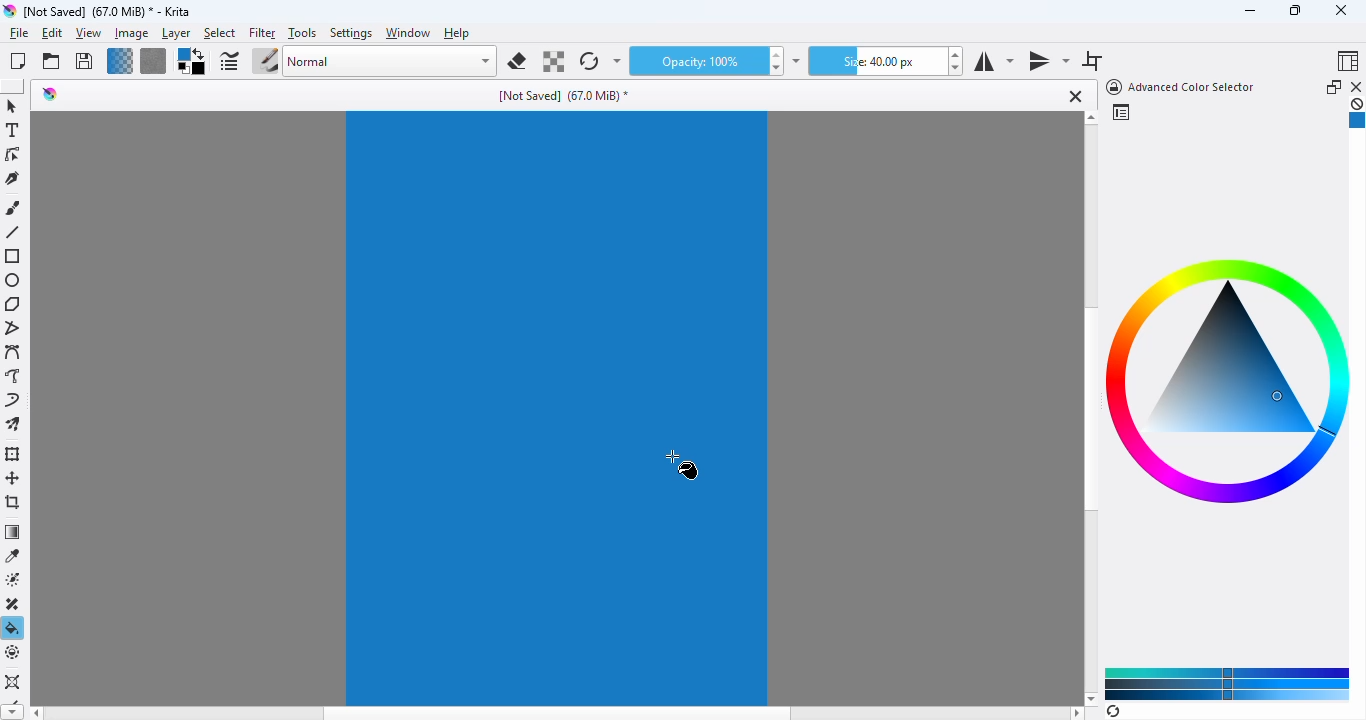 The height and width of the screenshot is (720, 1366). What do you see at coordinates (192, 61) in the screenshot?
I see `foreground/background color selector` at bounding box center [192, 61].